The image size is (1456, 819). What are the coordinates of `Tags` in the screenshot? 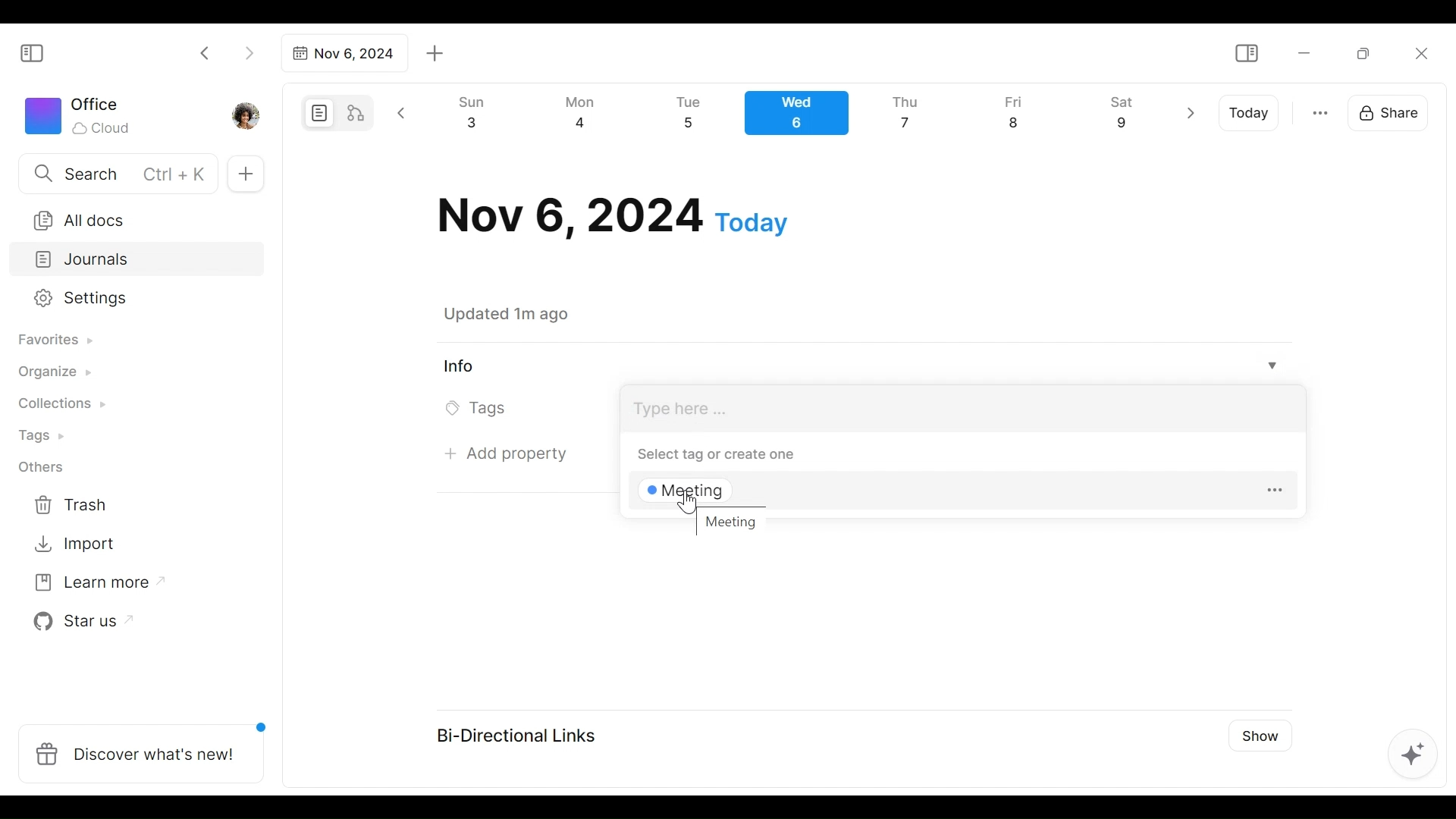 It's located at (480, 409).